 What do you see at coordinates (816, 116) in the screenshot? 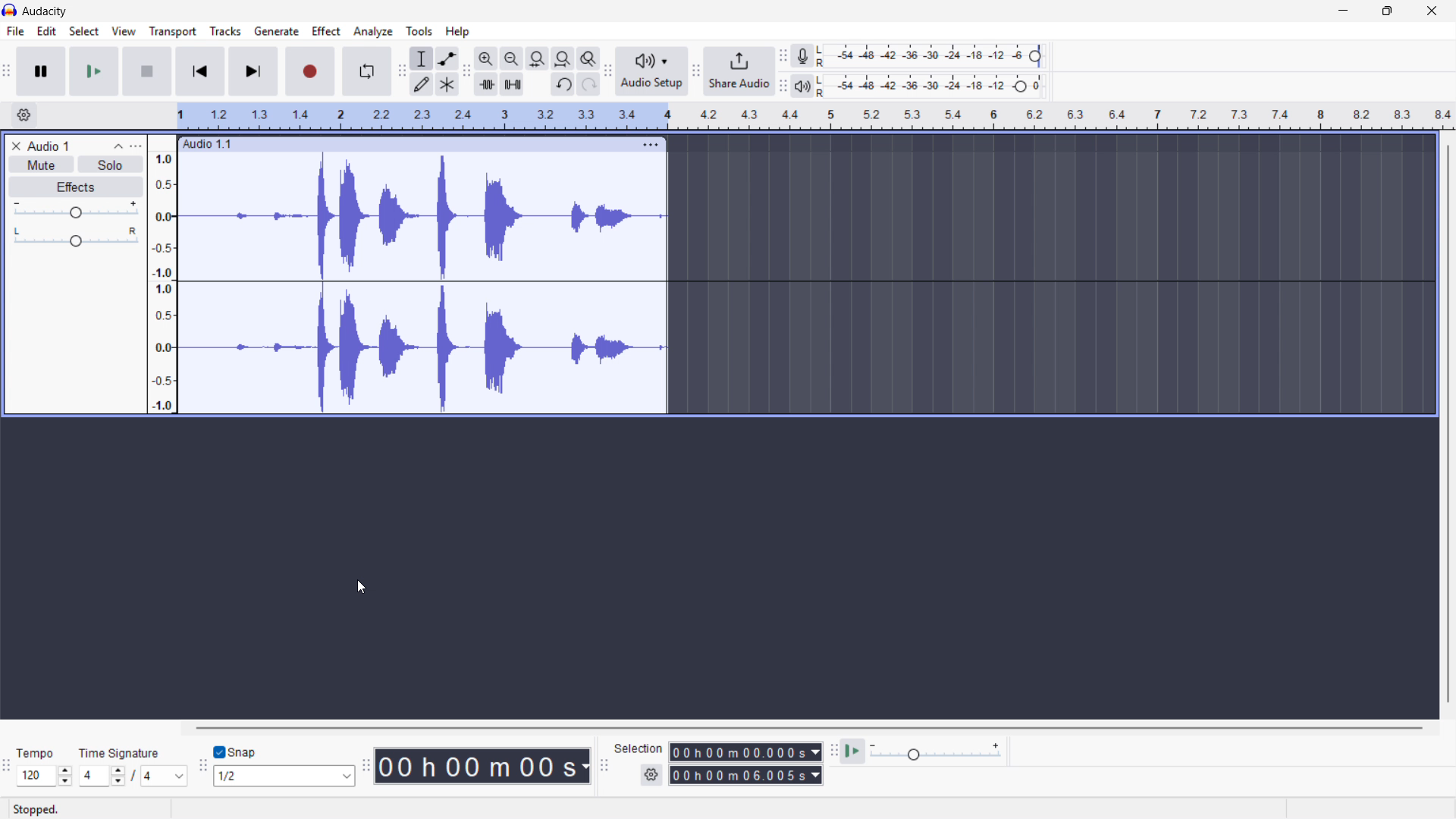
I see `Timeline` at bounding box center [816, 116].